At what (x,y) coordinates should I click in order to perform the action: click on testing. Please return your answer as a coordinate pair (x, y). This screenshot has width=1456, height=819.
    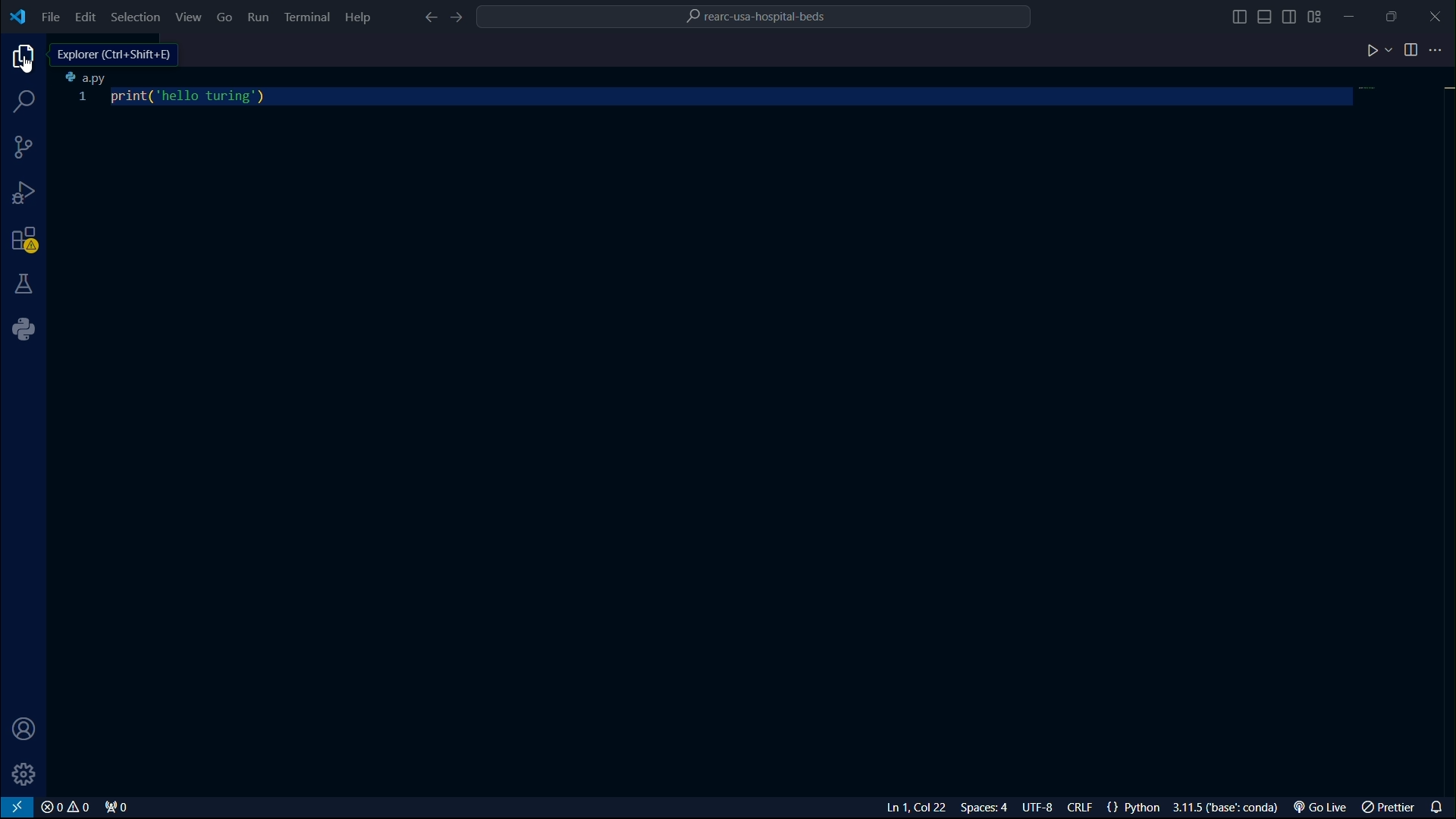
    Looking at the image, I should click on (26, 286).